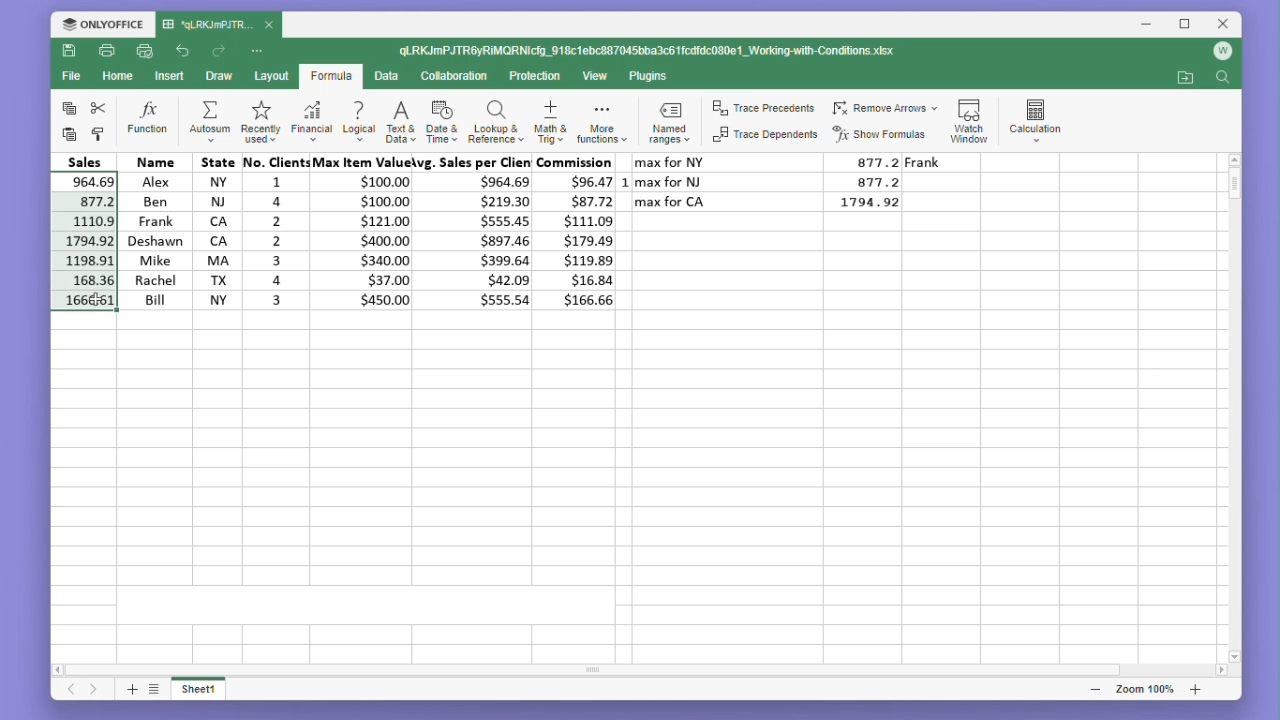  Describe the element at coordinates (1222, 671) in the screenshot. I see `scroll right` at that location.